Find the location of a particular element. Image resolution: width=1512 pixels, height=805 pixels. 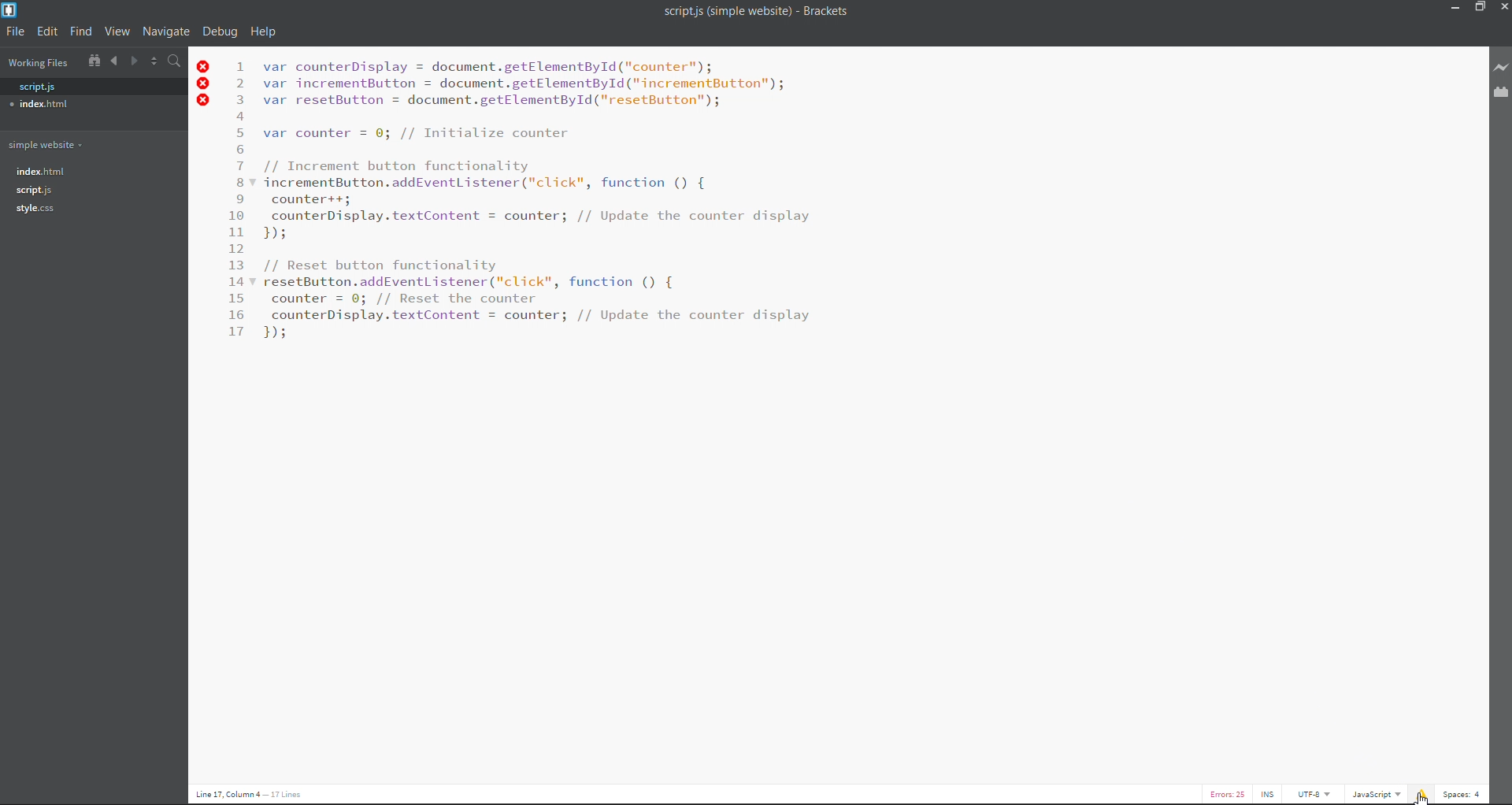

script.js is located at coordinates (36, 191).